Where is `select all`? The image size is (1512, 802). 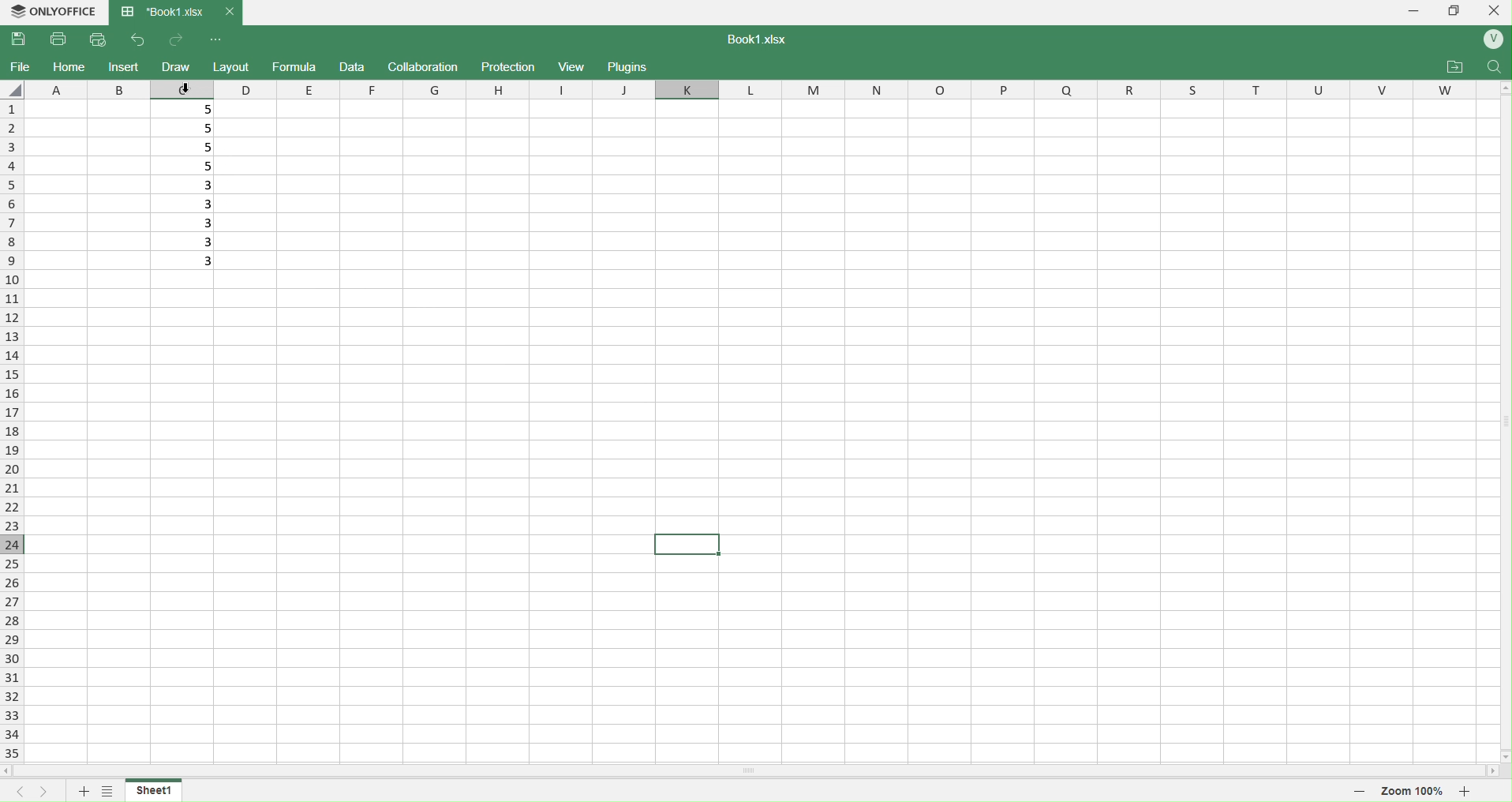 select all is located at coordinates (15, 89).